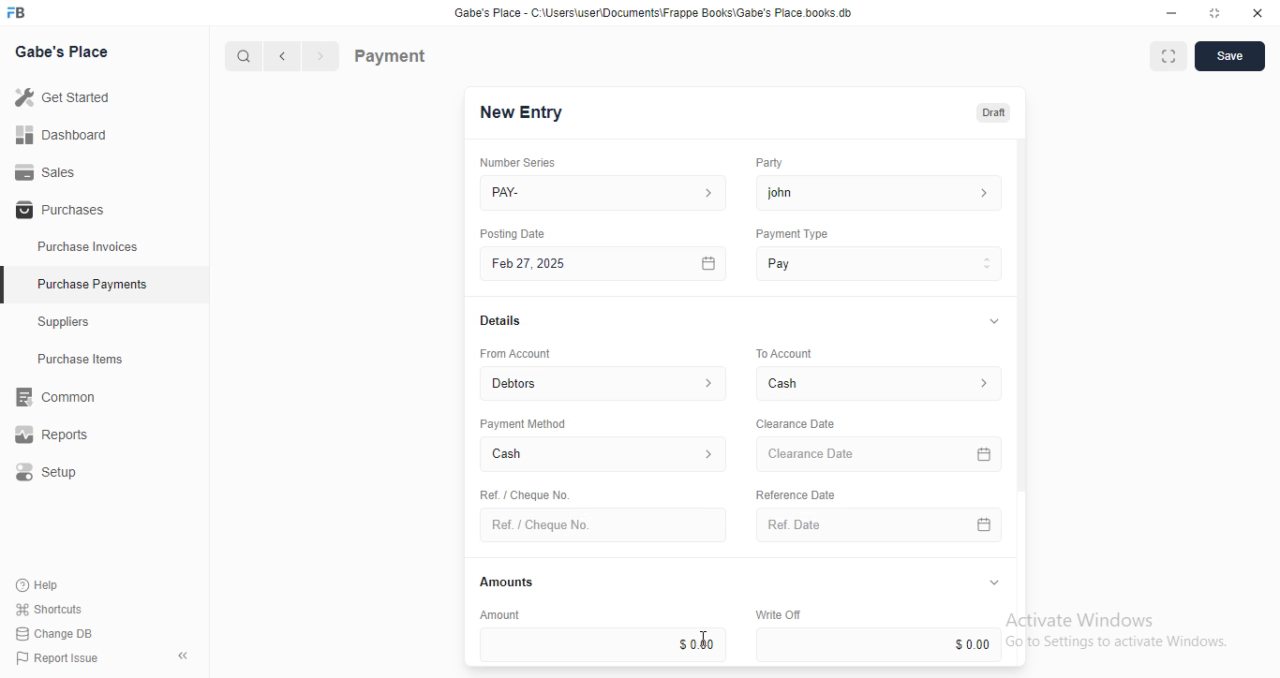  What do you see at coordinates (286, 58) in the screenshot?
I see `navigate backward` at bounding box center [286, 58].